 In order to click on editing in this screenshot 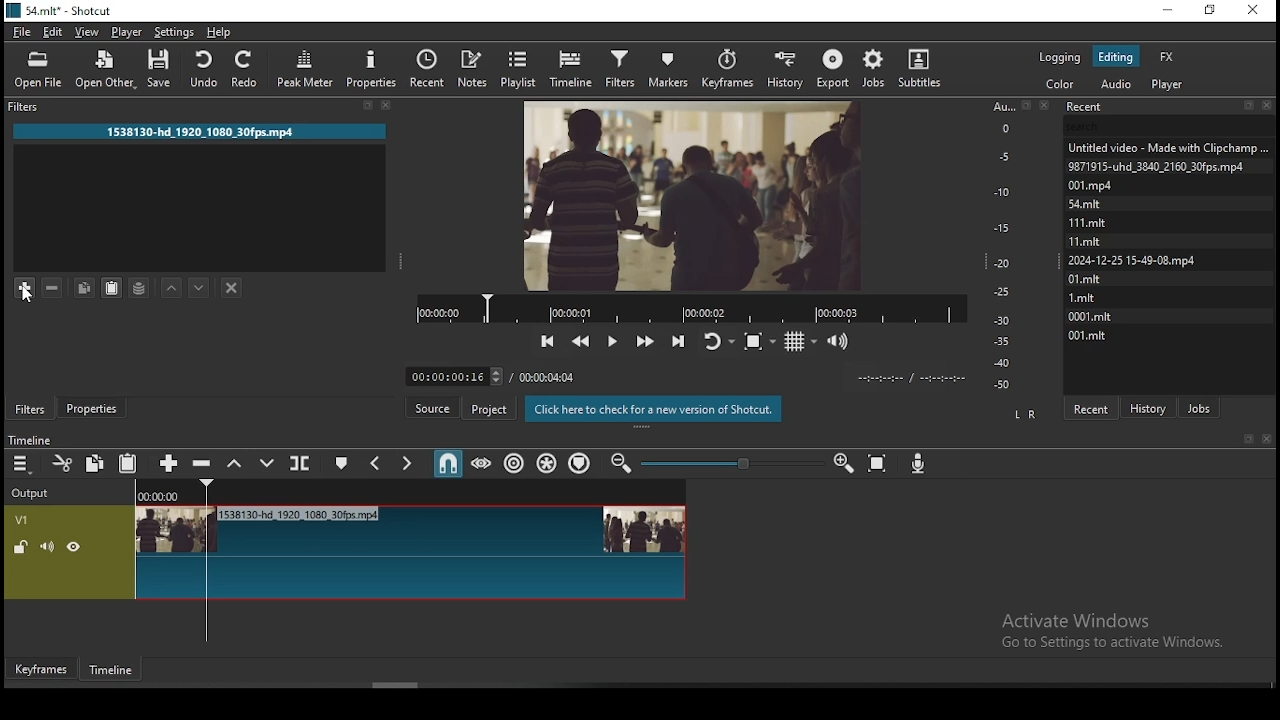, I will do `click(1115, 56)`.